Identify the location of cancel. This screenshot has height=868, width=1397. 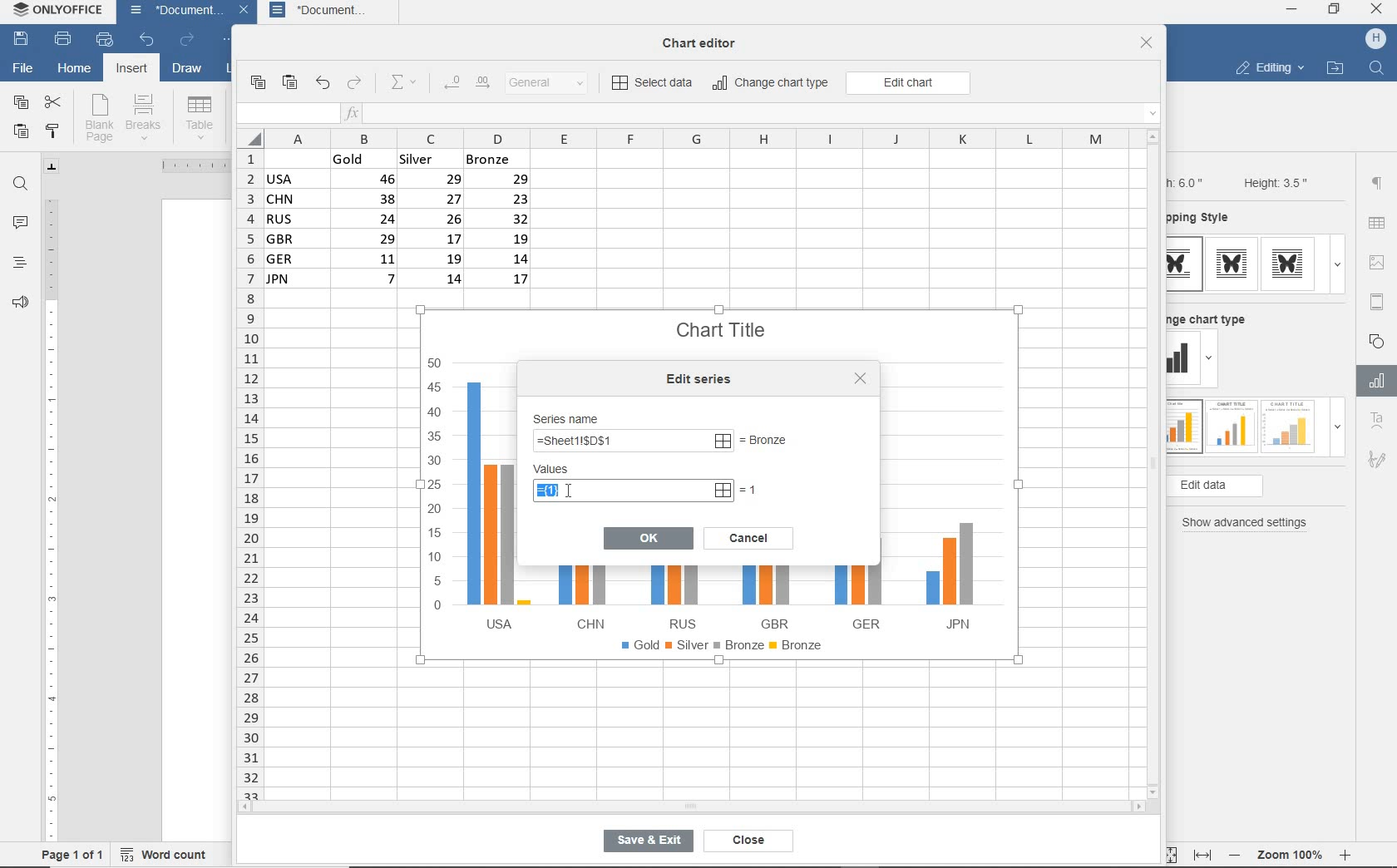
(748, 536).